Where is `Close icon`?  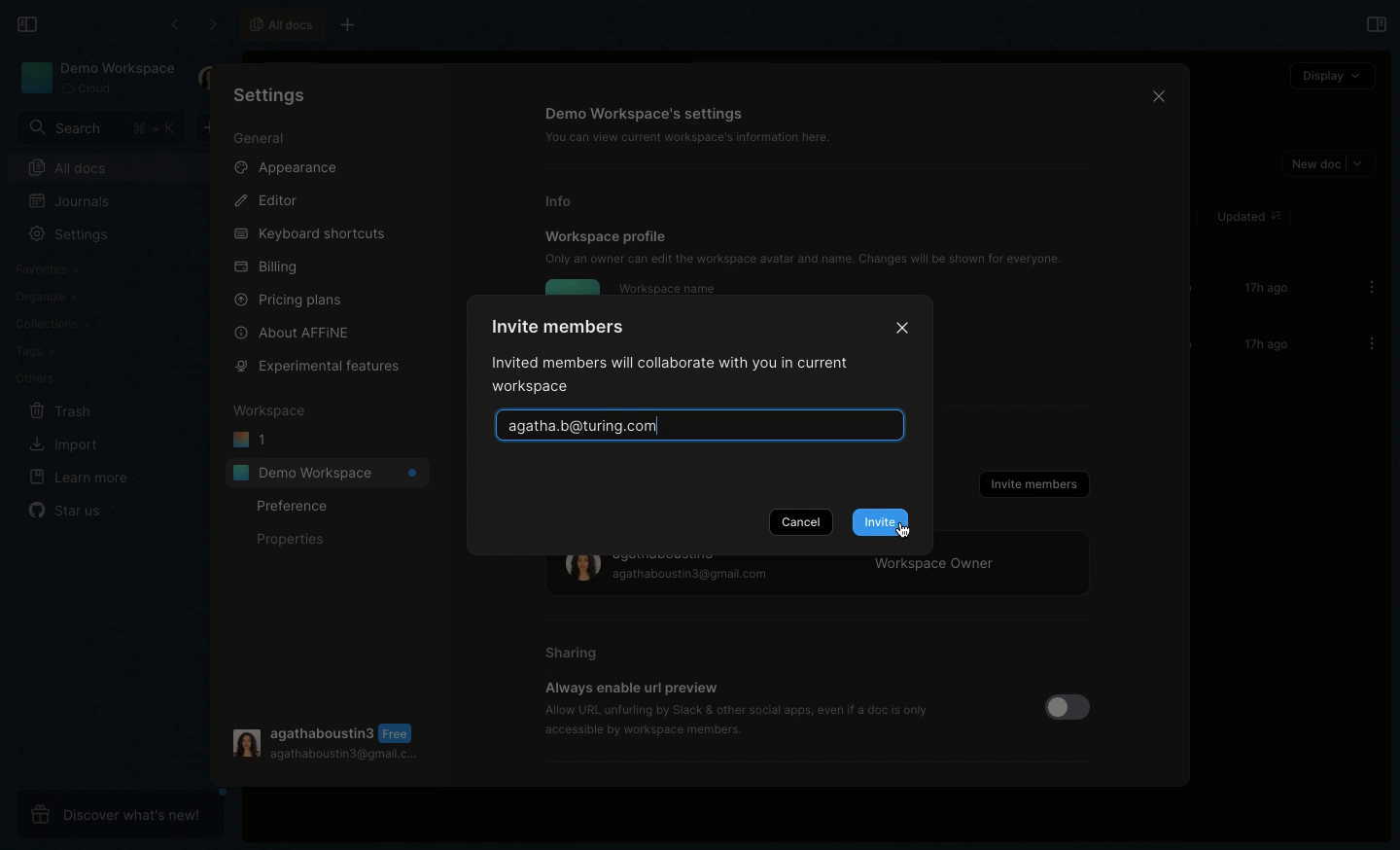
Close icon is located at coordinates (1155, 94).